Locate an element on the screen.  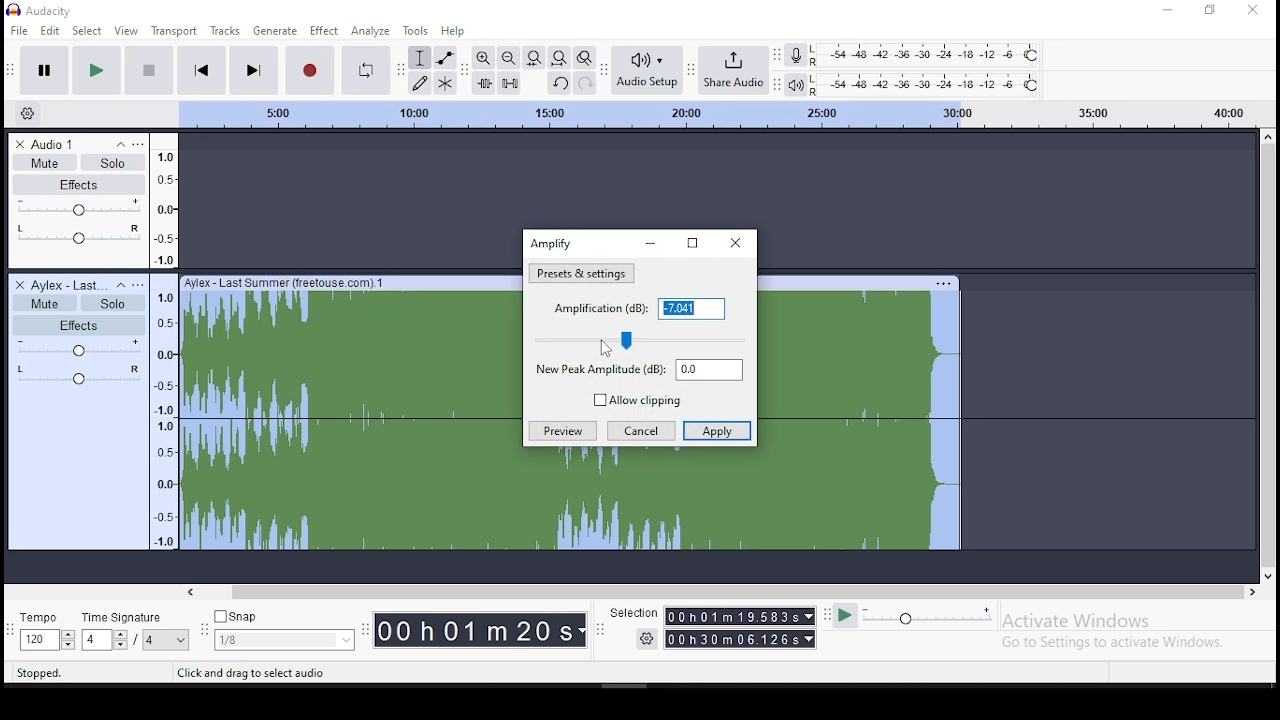
pause is located at coordinates (41, 71).